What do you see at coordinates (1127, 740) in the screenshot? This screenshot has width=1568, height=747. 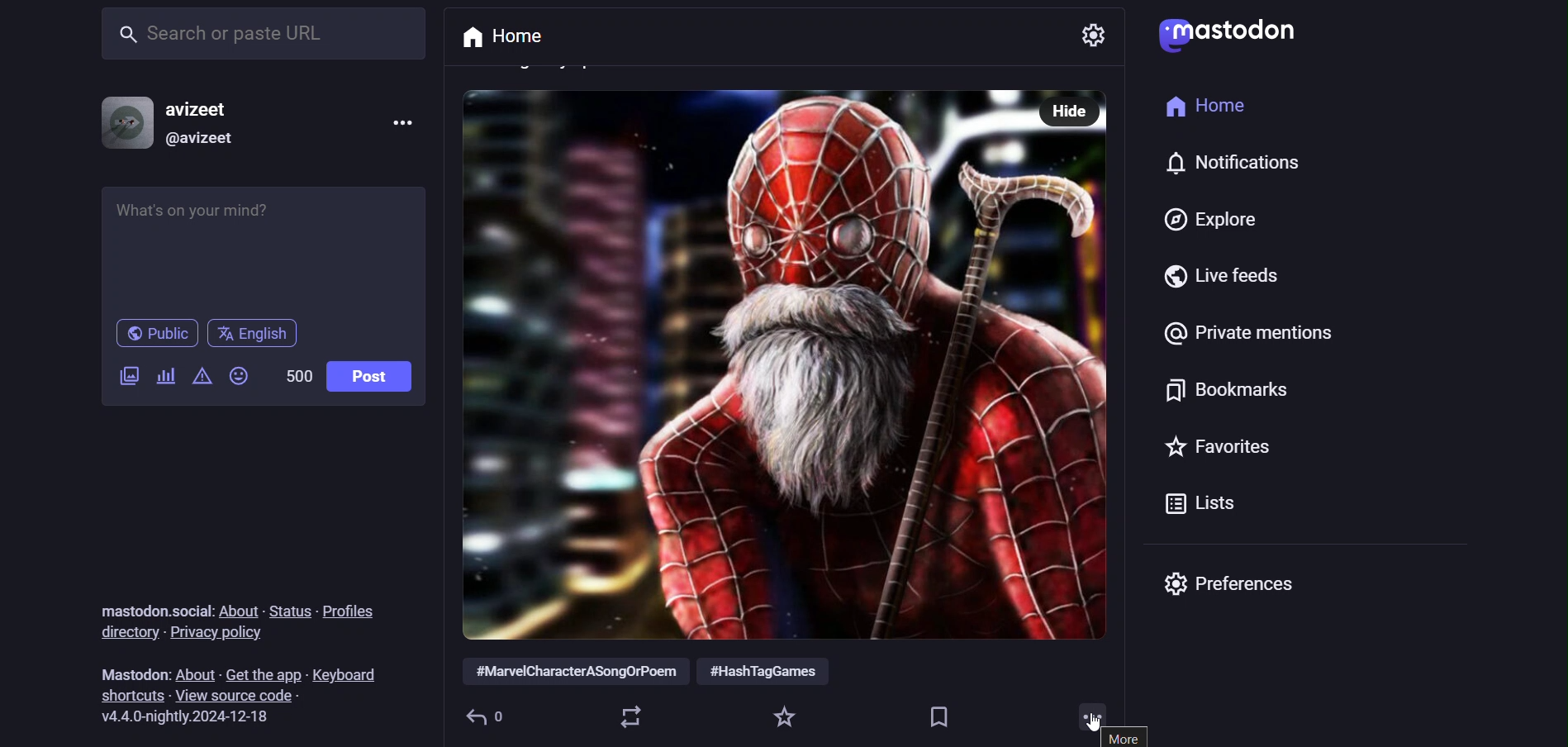 I see `more` at bounding box center [1127, 740].